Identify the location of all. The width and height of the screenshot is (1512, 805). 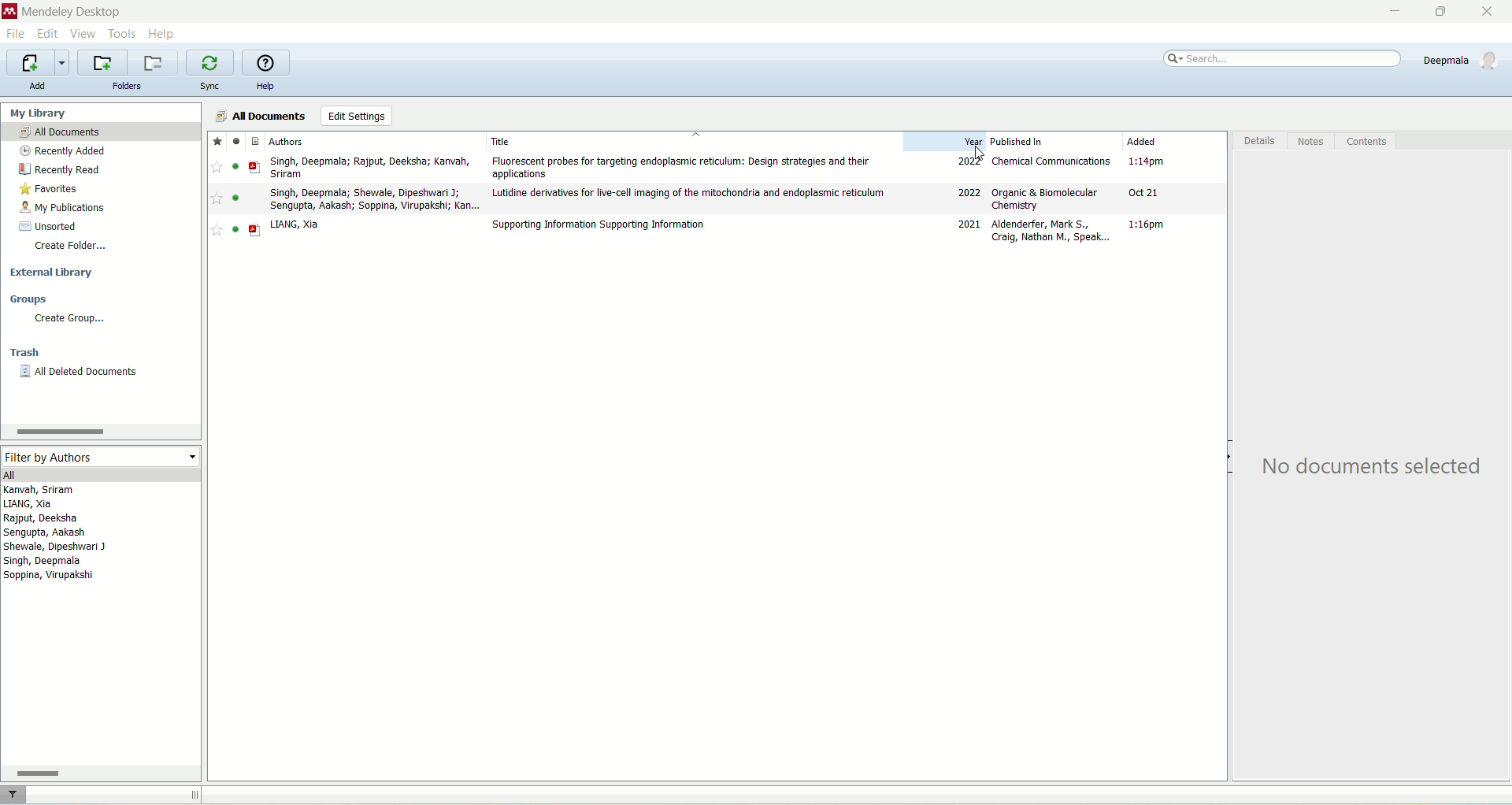
(98, 473).